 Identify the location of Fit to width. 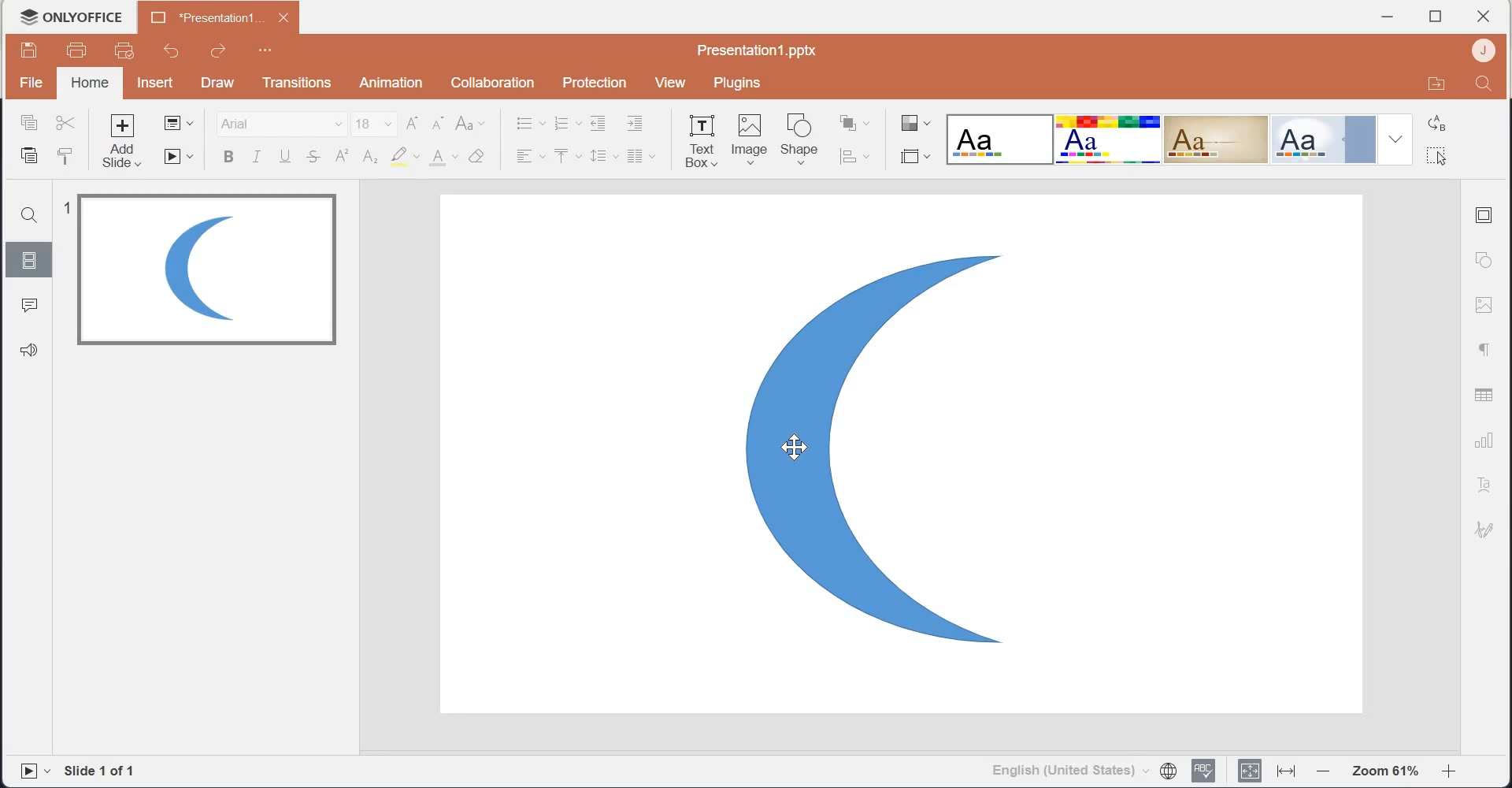
(1285, 772).